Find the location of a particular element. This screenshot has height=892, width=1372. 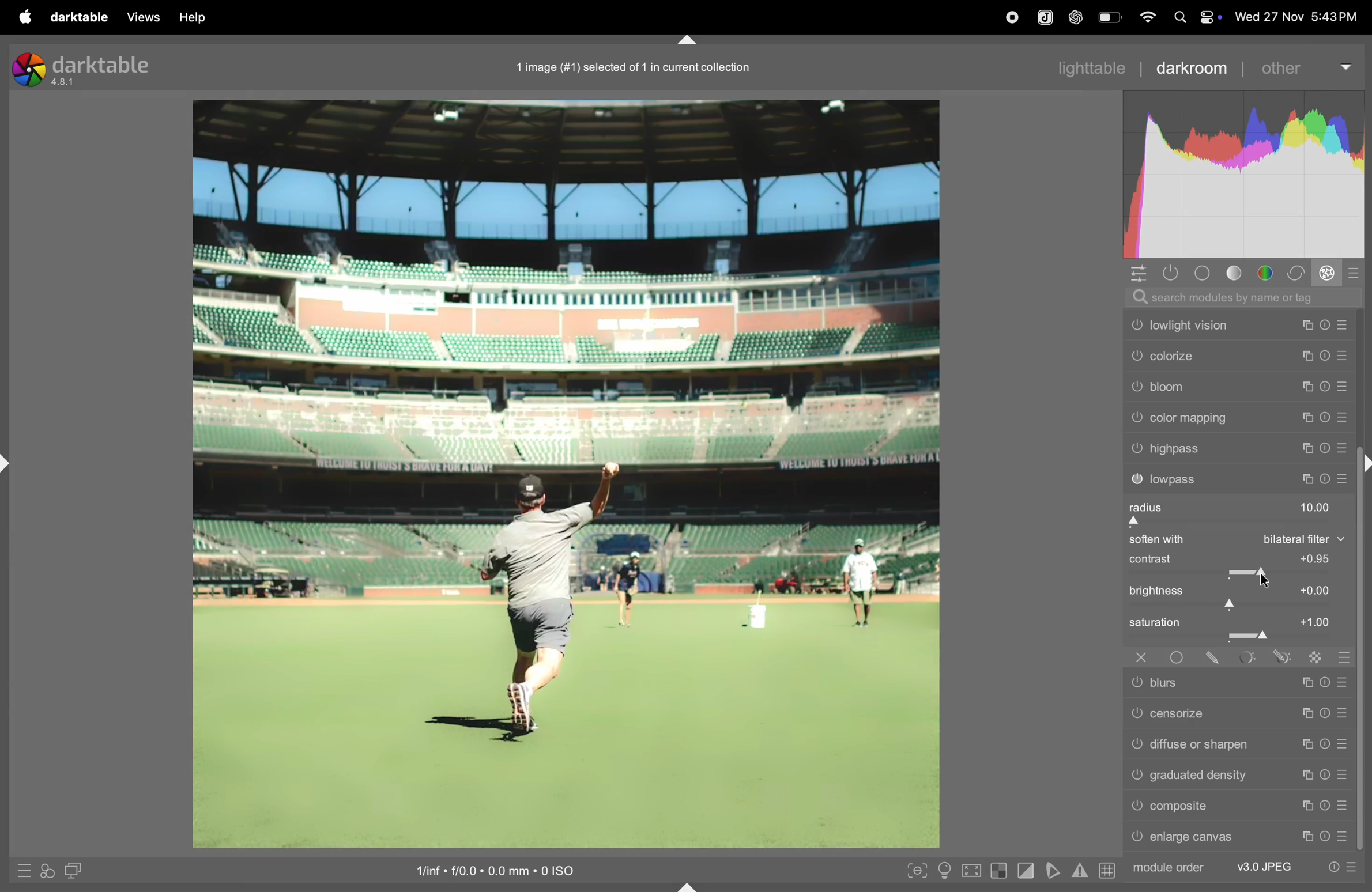

iso is located at coordinates (508, 868).